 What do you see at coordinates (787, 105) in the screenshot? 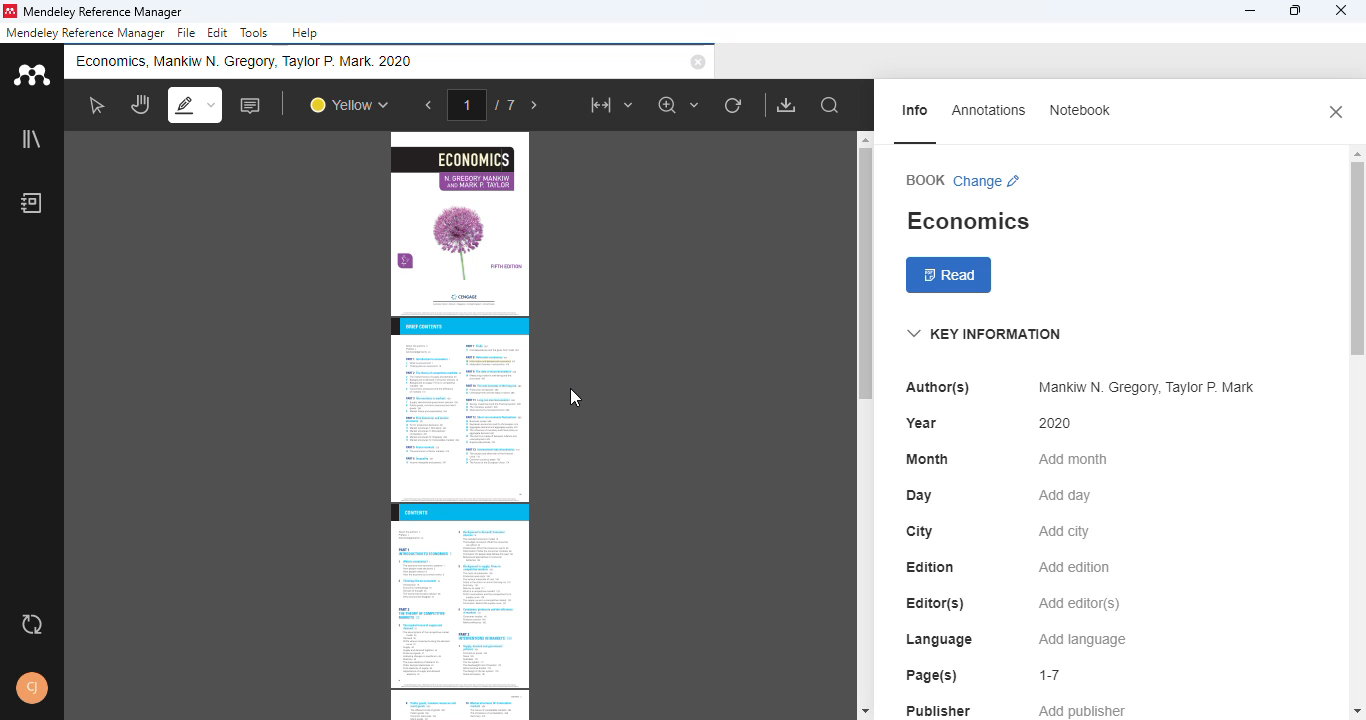
I see `download` at bounding box center [787, 105].